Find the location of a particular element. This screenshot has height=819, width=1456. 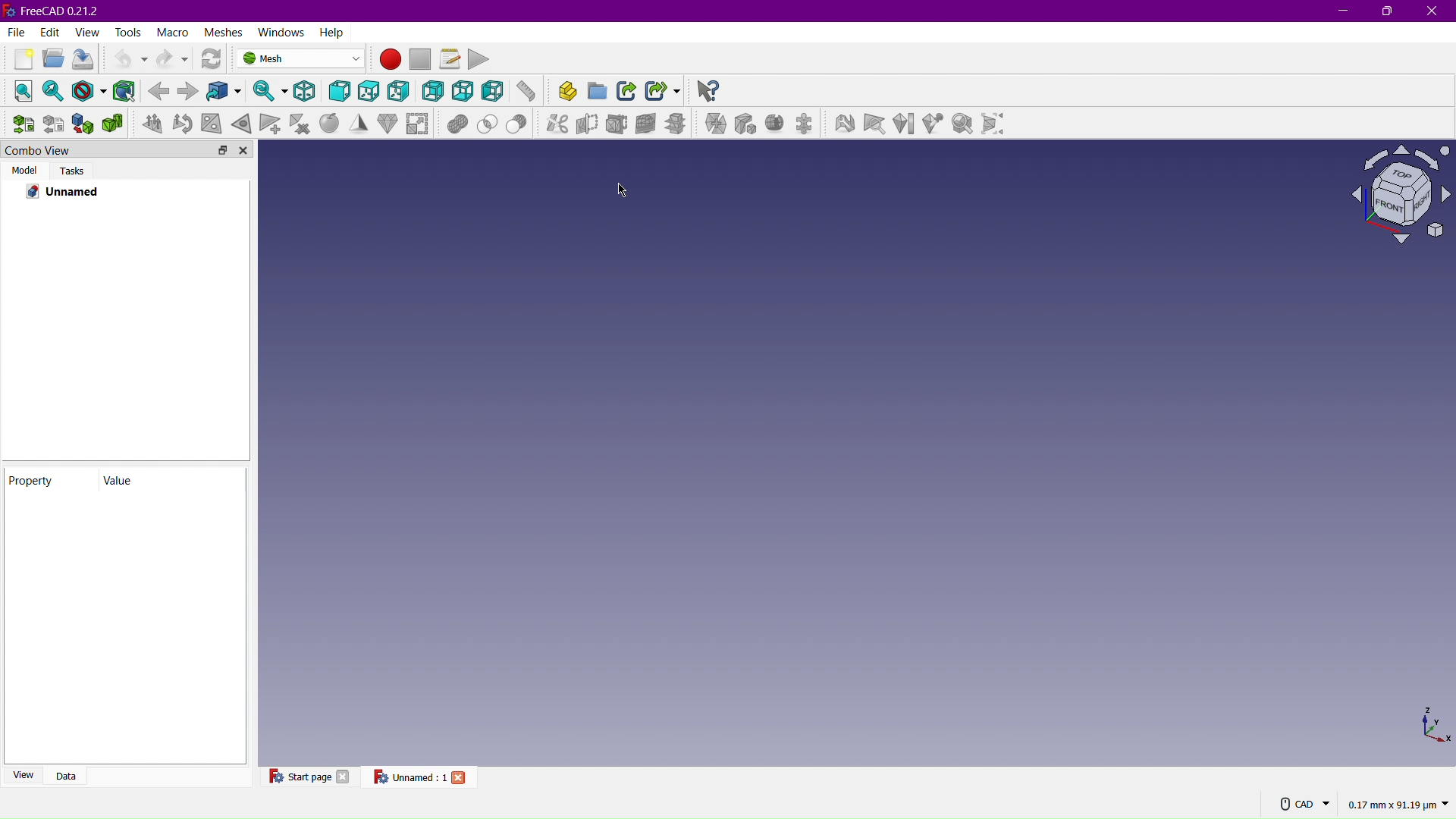

View is located at coordinates (87, 32).